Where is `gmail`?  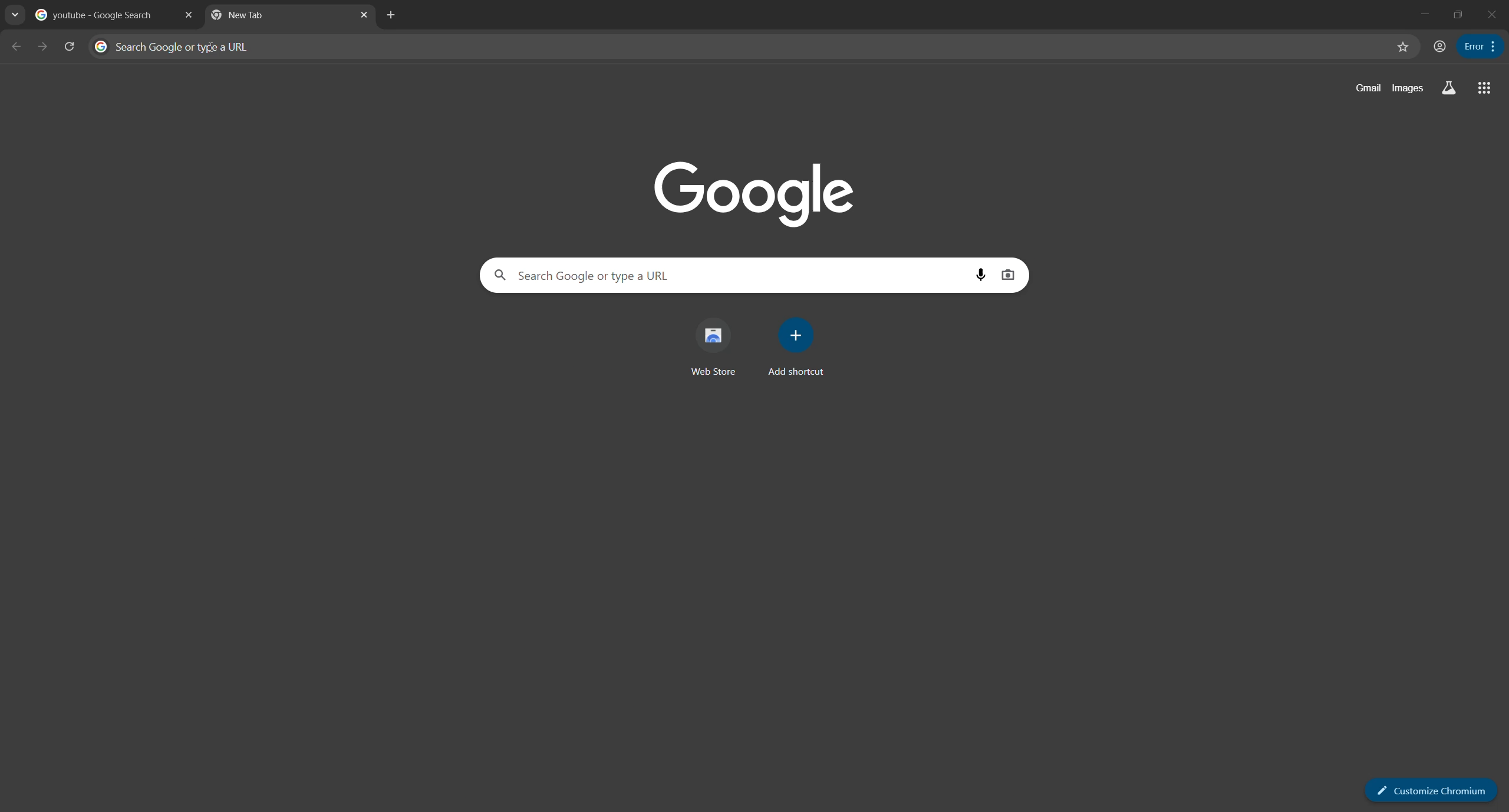 gmail is located at coordinates (1367, 90).